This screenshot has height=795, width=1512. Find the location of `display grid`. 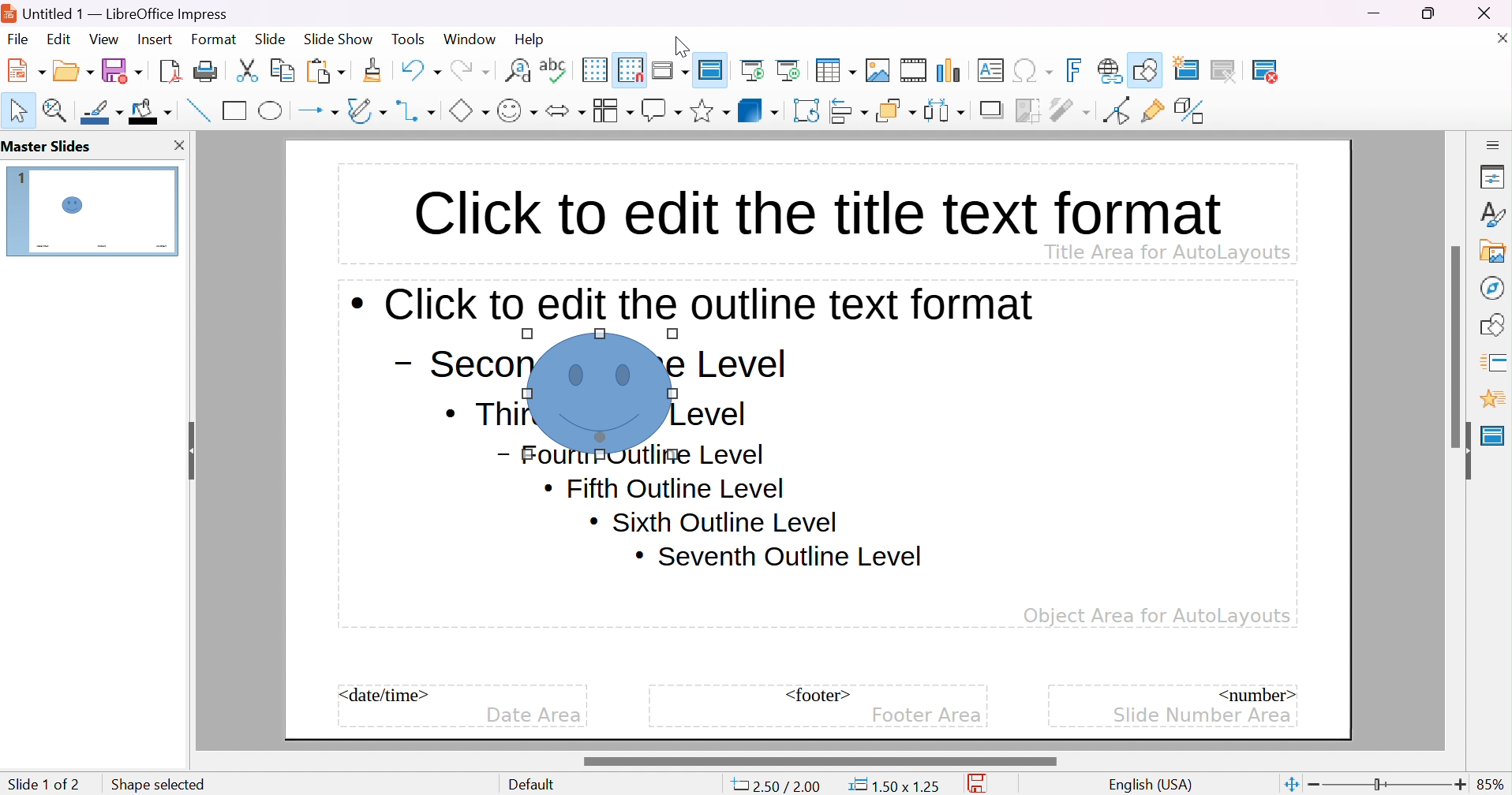

display grid is located at coordinates (593, 69).